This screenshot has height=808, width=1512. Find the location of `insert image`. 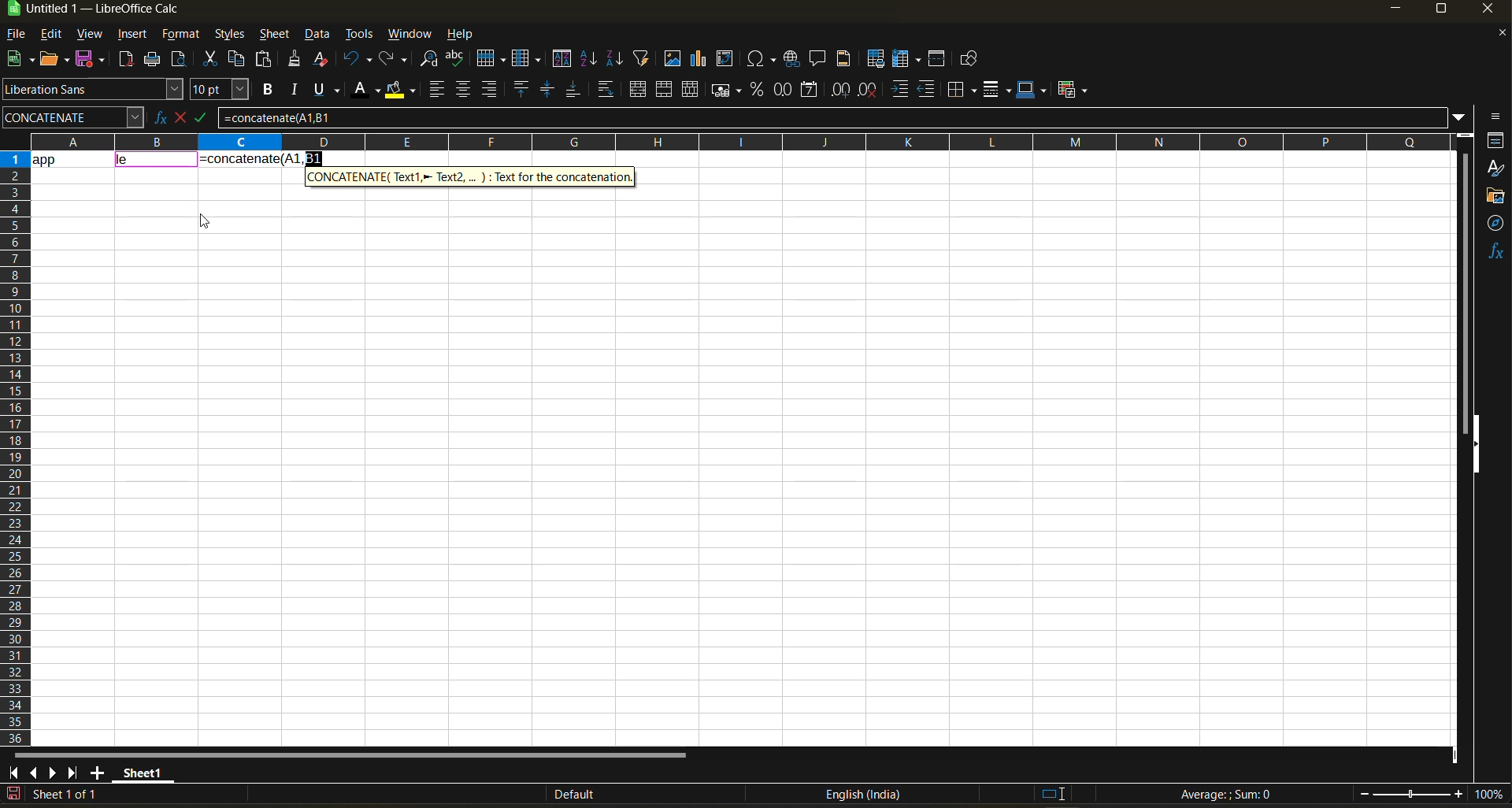

insert image is located at coordinates (672, 58).